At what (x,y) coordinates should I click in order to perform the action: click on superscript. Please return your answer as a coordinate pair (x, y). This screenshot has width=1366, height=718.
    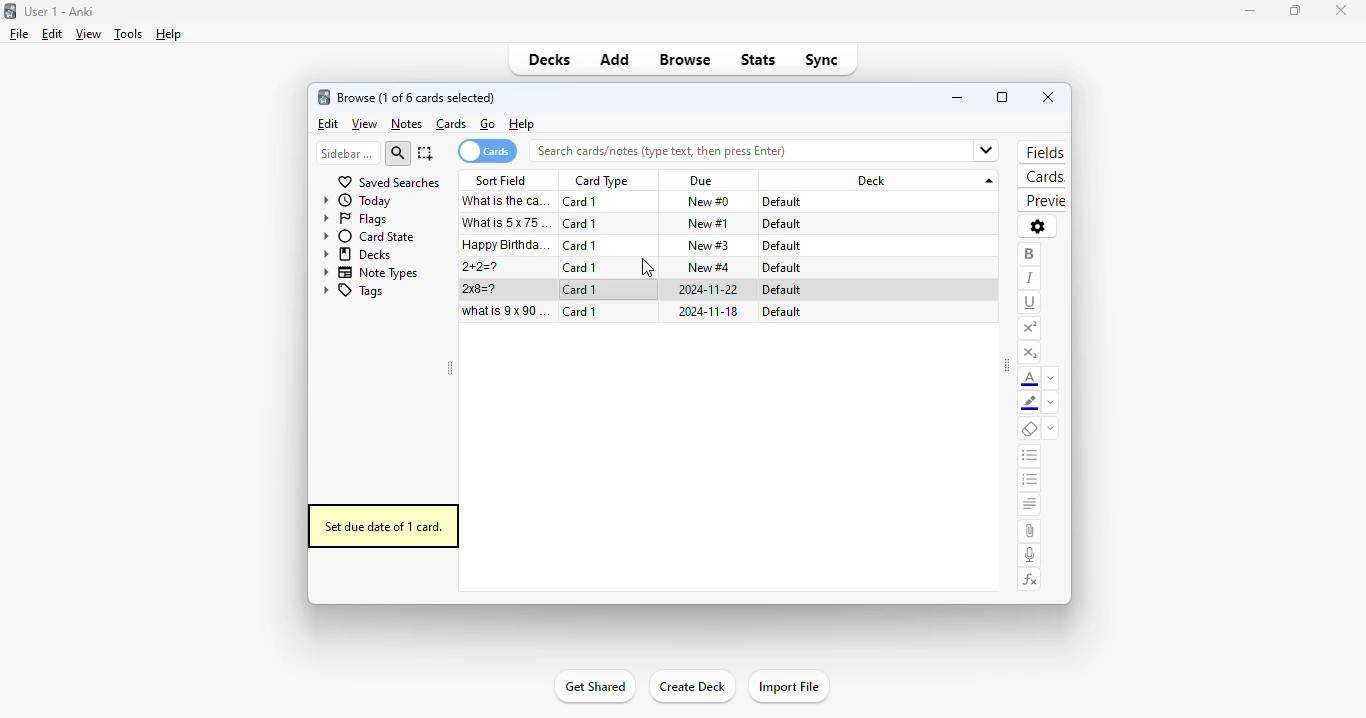
    Looking at the image, I should click on (1029, 328).